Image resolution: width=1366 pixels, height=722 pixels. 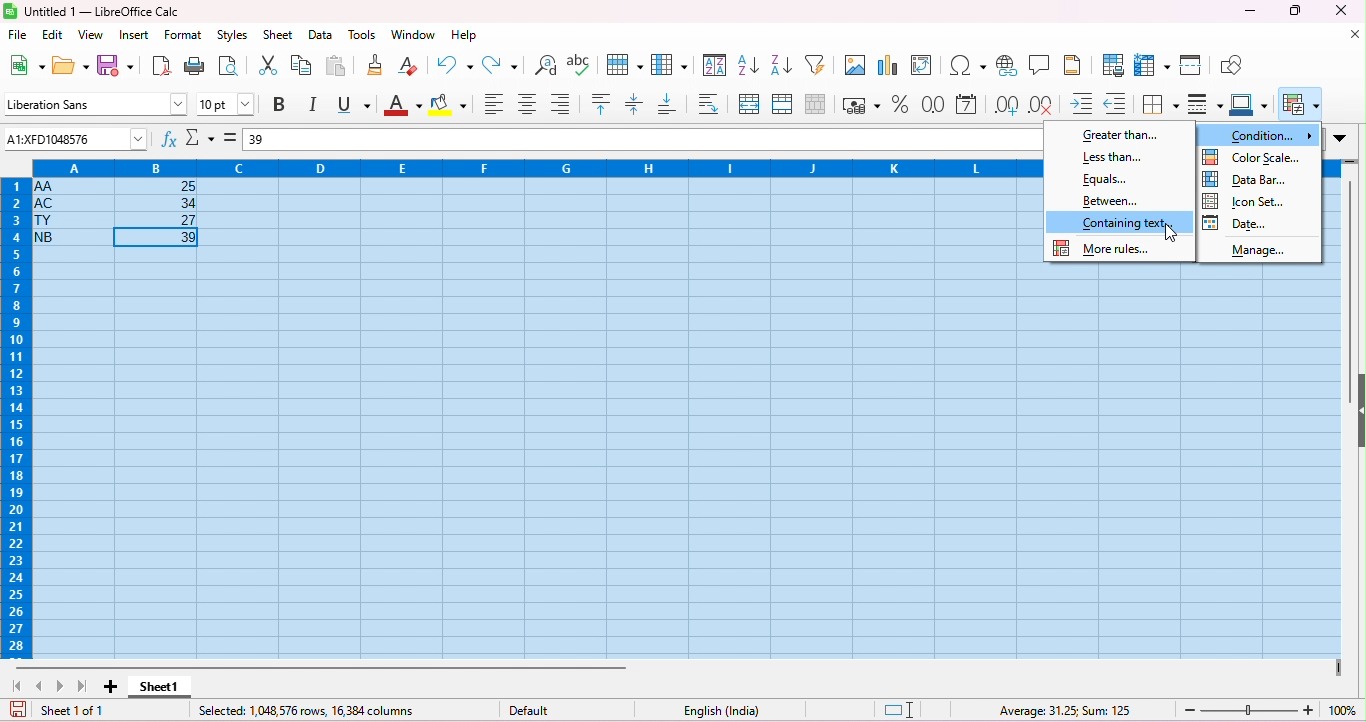 What do you see at coordinates (603, 103) in the screenshot?
I see `align top` at bounding box center [603, 103].